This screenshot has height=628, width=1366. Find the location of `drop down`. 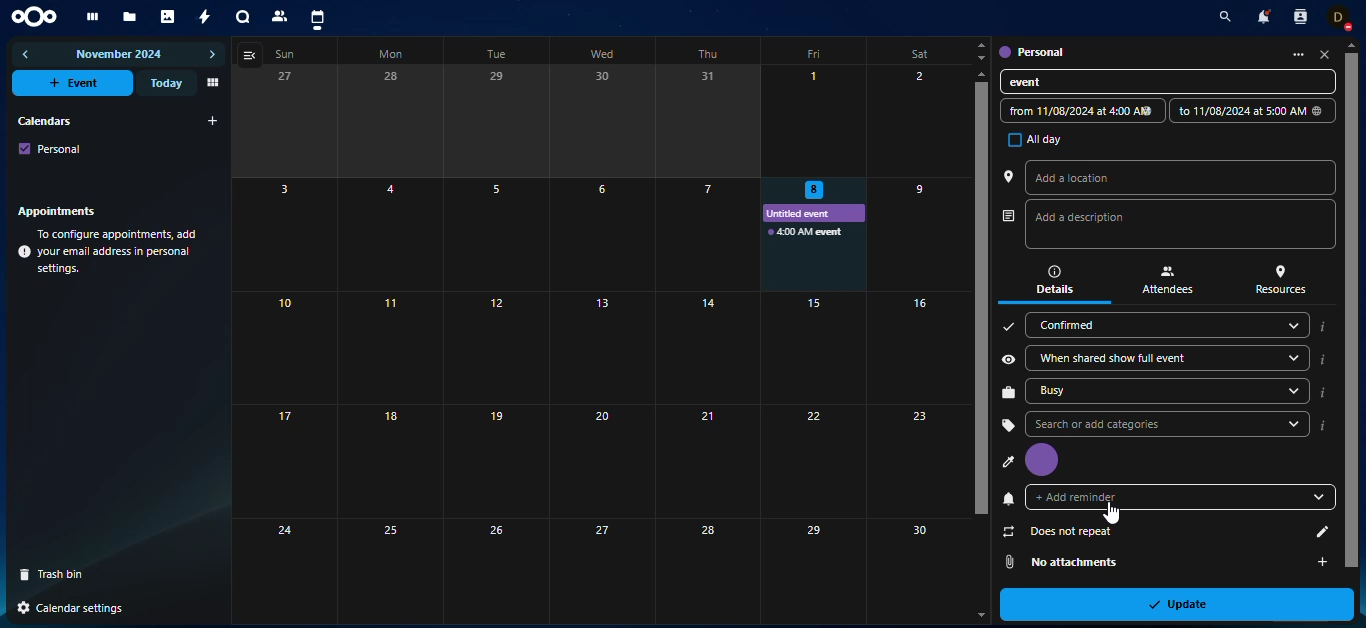

drop down is located at coordinates (1295, 423).